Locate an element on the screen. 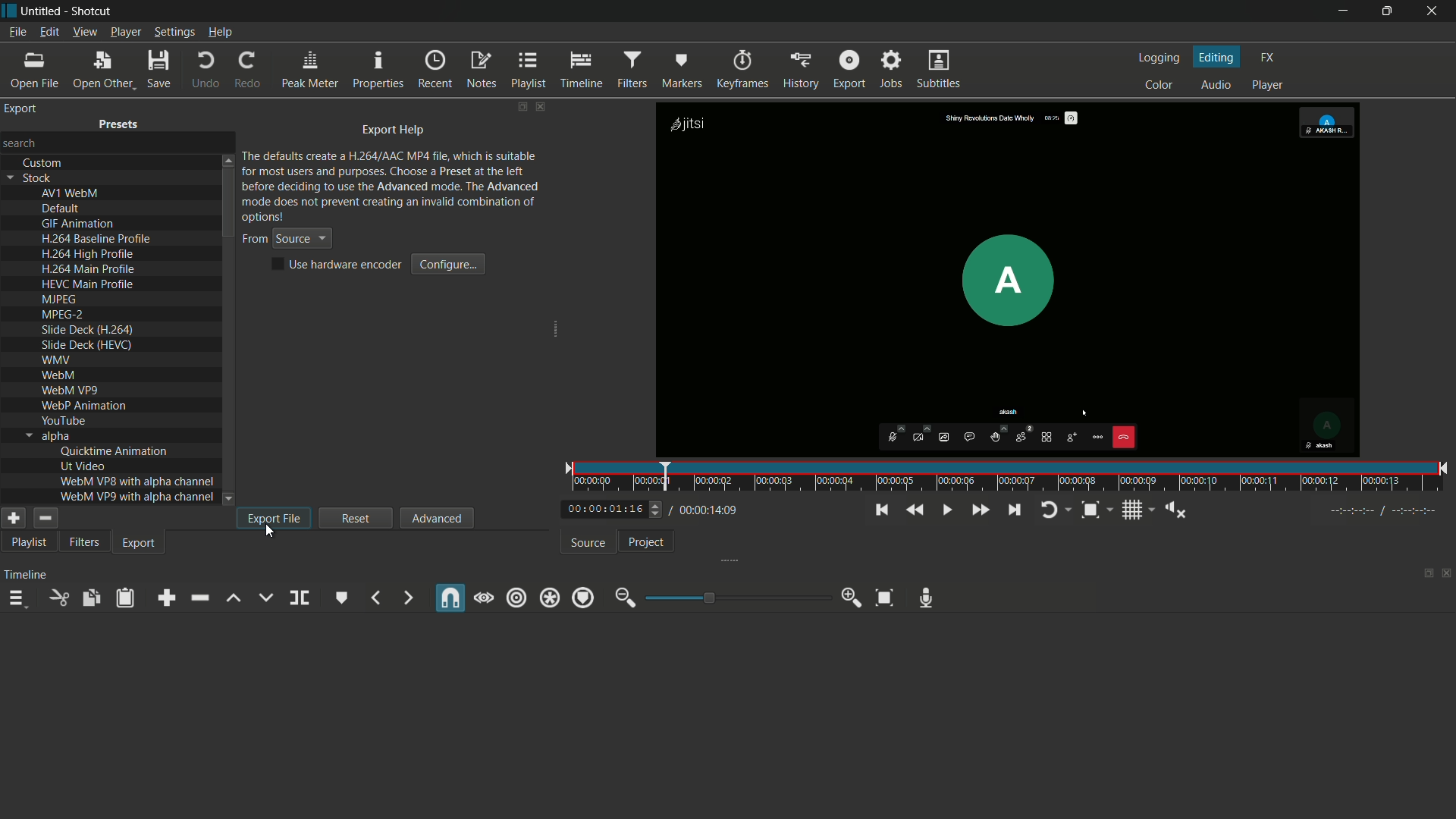 The height and width of the screenshot is (819, 1456). presets is located at coordinates (120, 124).